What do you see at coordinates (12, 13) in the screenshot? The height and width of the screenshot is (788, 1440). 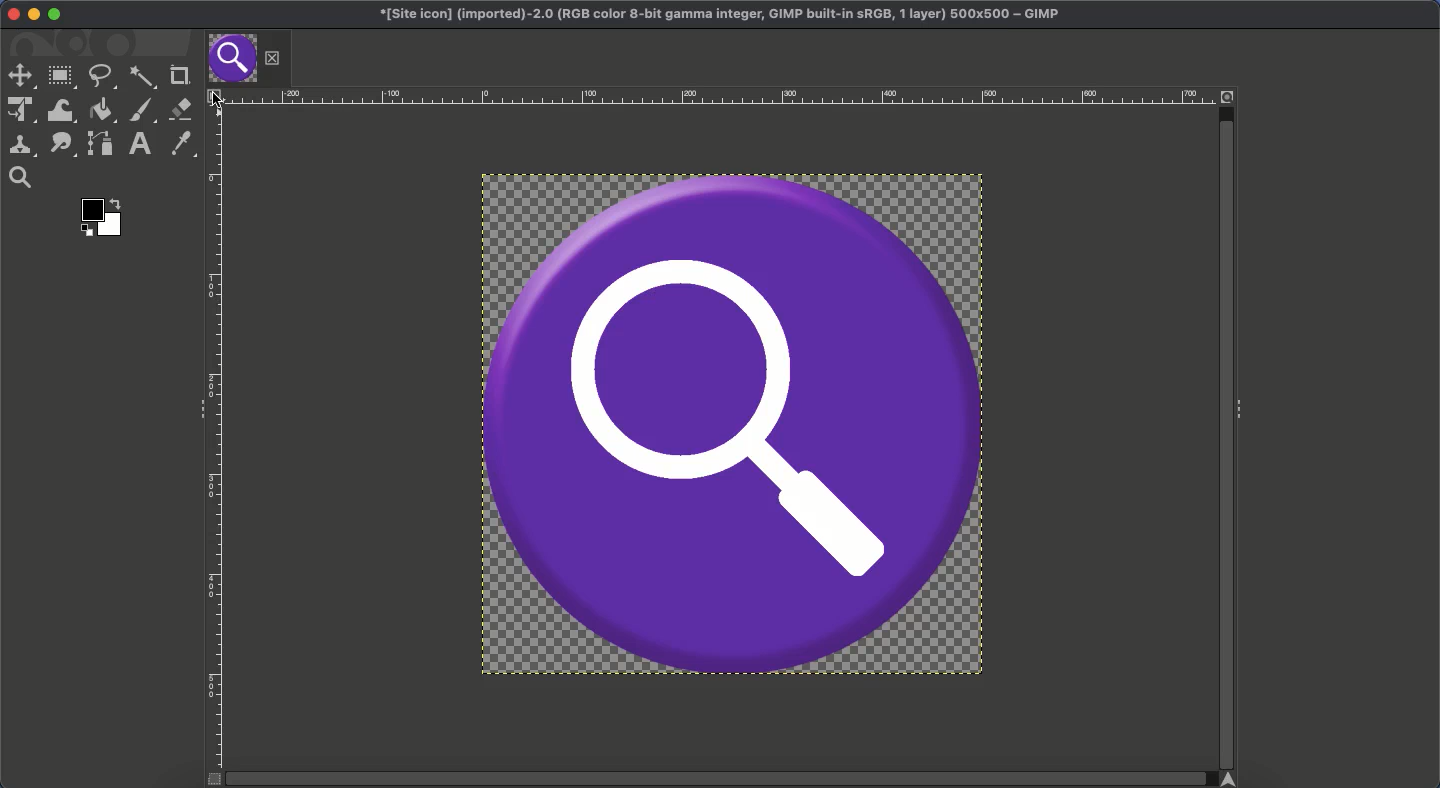 I see `Close` at bounding box center [12, 13].